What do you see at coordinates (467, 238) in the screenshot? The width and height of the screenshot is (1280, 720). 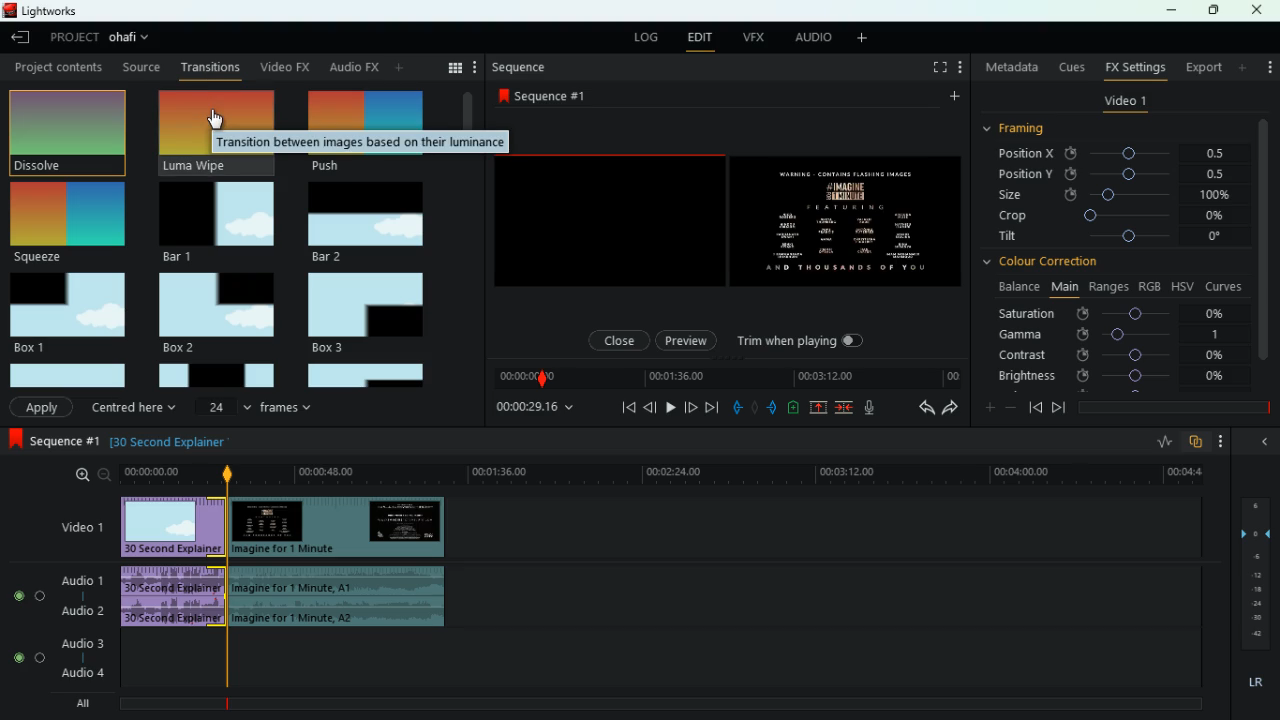 I see `vertical scroll bar` at bounding box center [467, 238].